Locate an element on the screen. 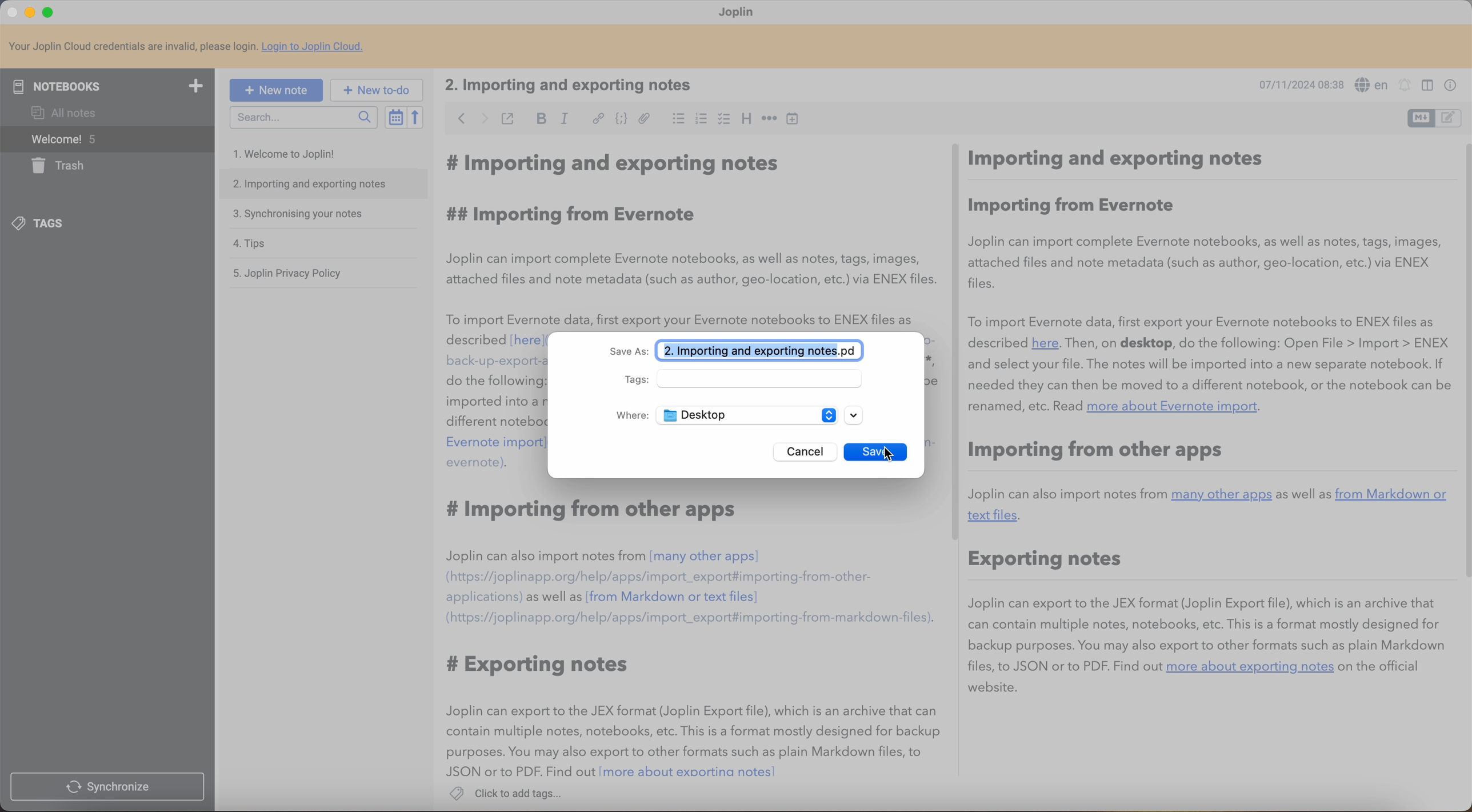 The image size is (1472, 812). bulleted list is located at coordinates (675, 120).